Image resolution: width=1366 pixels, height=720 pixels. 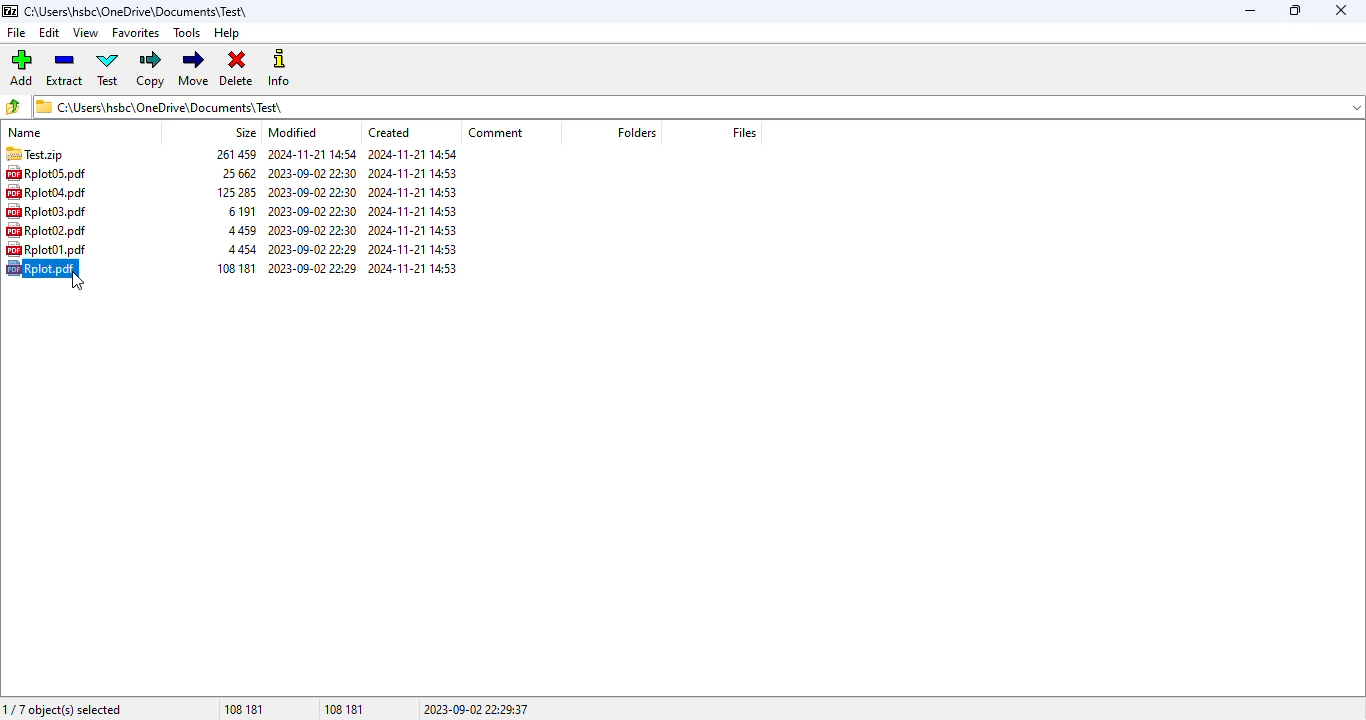 What do you see at coordinates (46, 250) in the screenshot?
I see ` RplotUl.pat` at bounding box center [46, 250].